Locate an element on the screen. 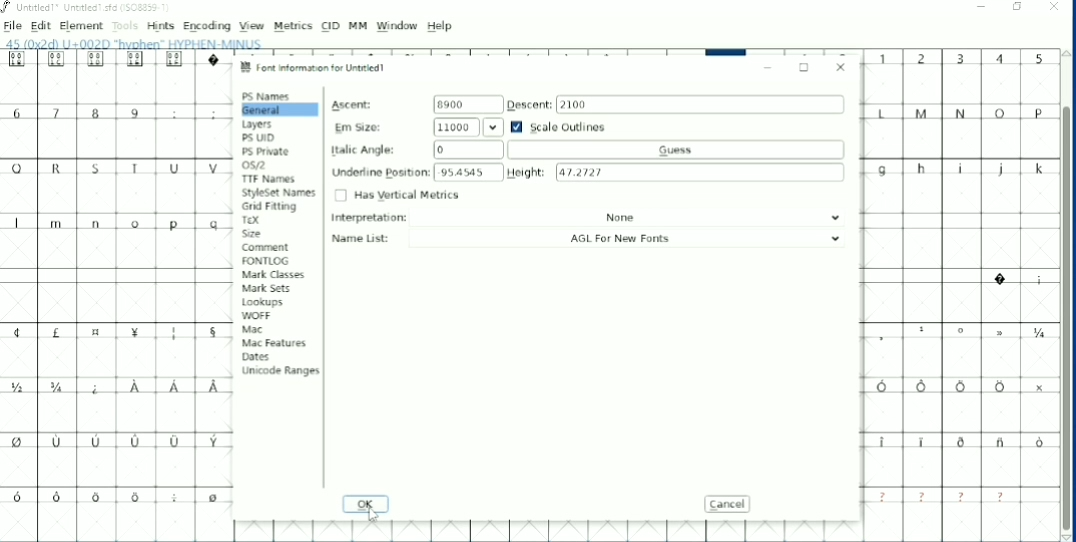  Help is located at coordinates (441, 26).